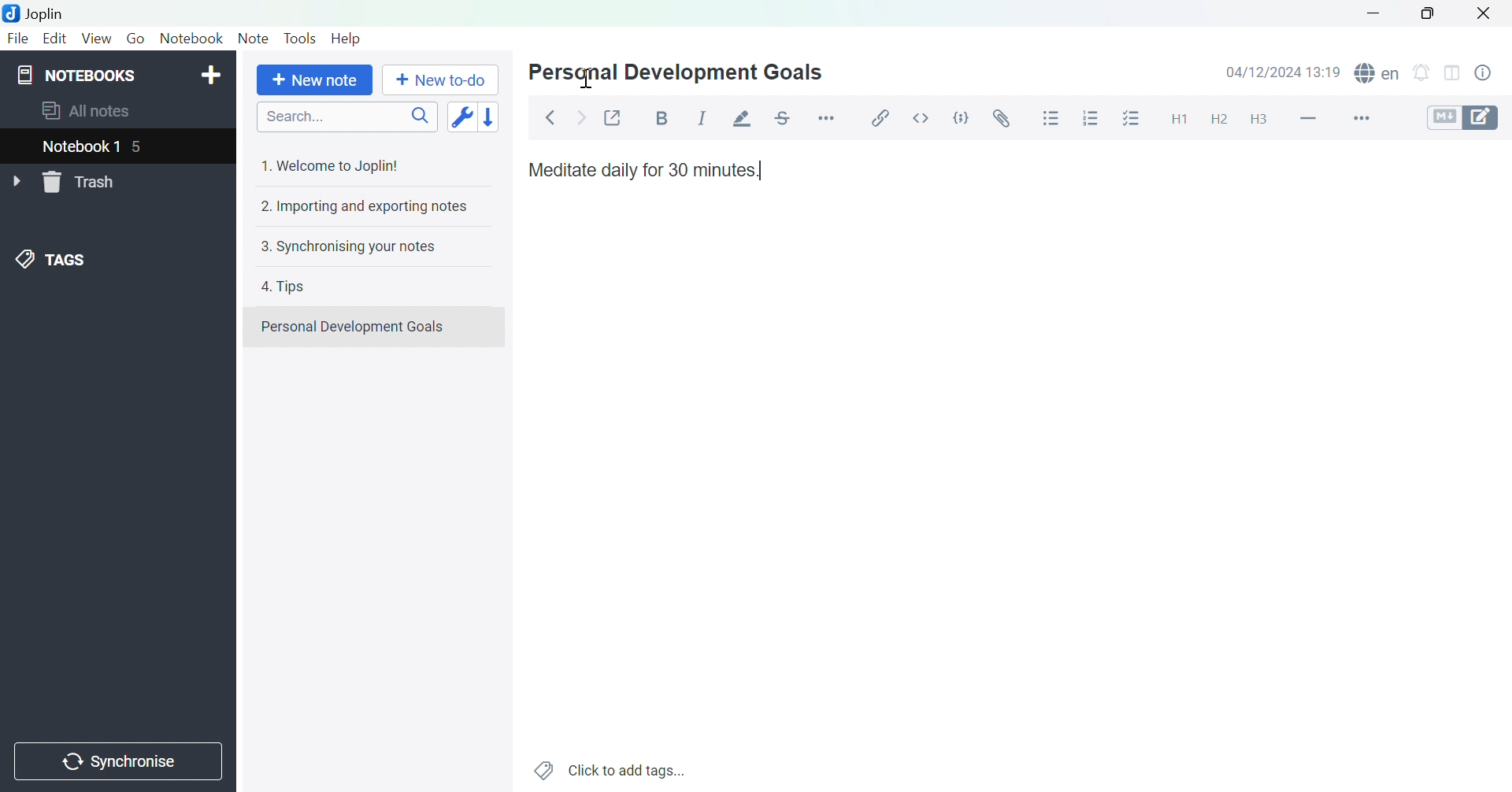 This screenshot has height=792, width=1512. Describe the element at coordinates (490, 116) in the screenshot. I see `Reverse sort order` at that location.